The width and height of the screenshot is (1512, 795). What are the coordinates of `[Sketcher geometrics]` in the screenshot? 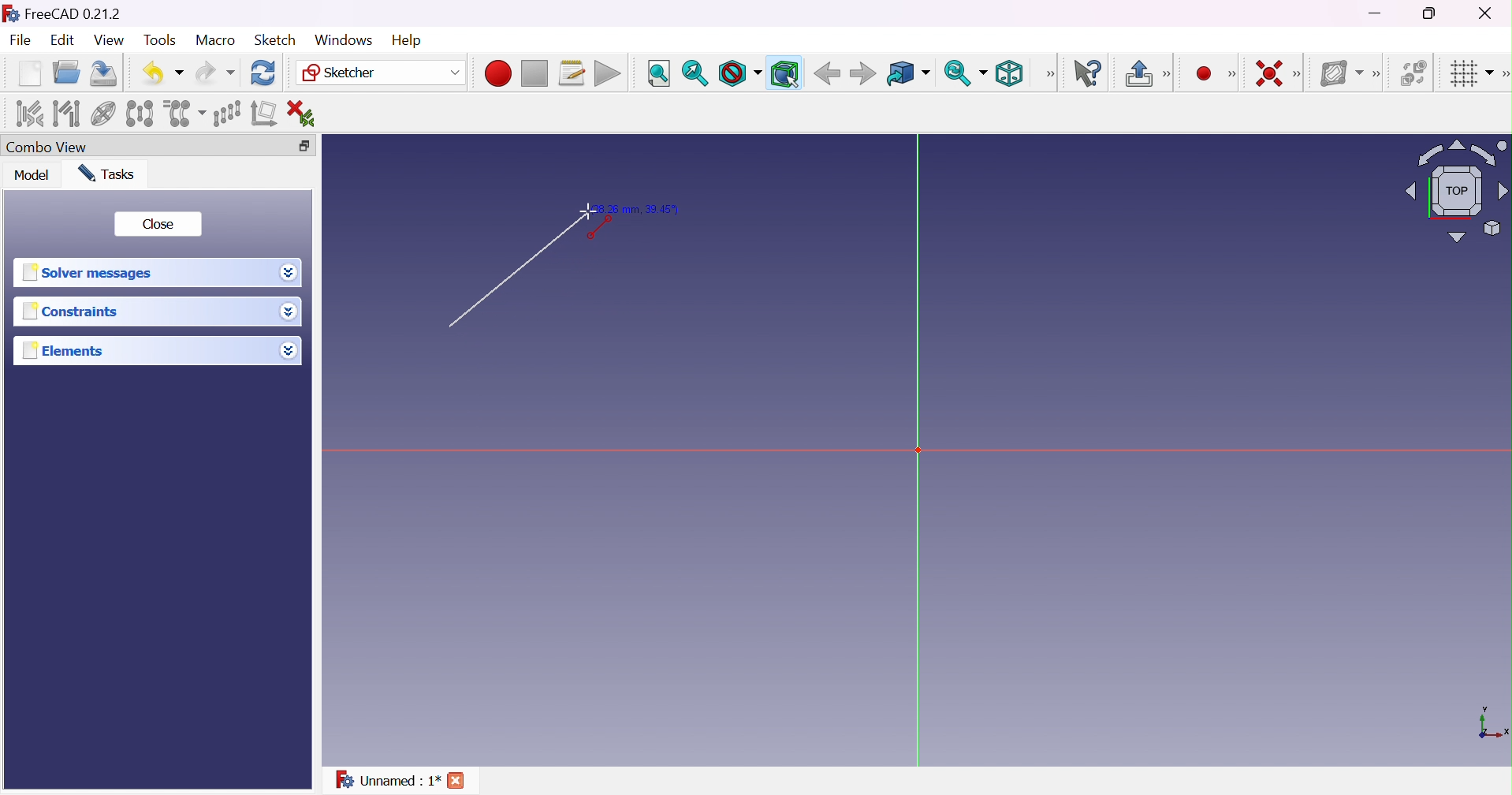 It's located at (1232, 74).